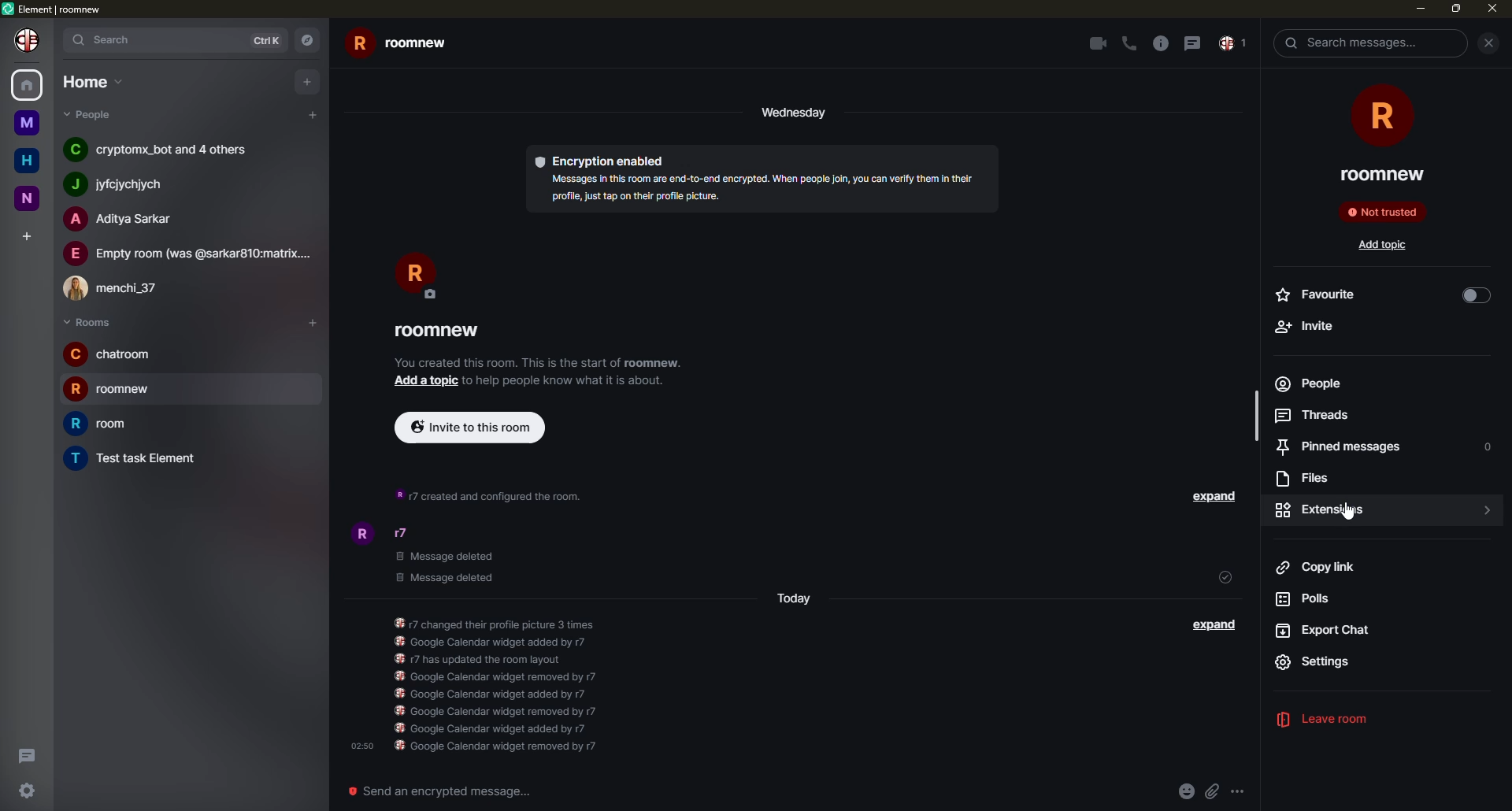  Describe the element at coordinates (1485, 447) in the screenshot. I see `o` at that location.